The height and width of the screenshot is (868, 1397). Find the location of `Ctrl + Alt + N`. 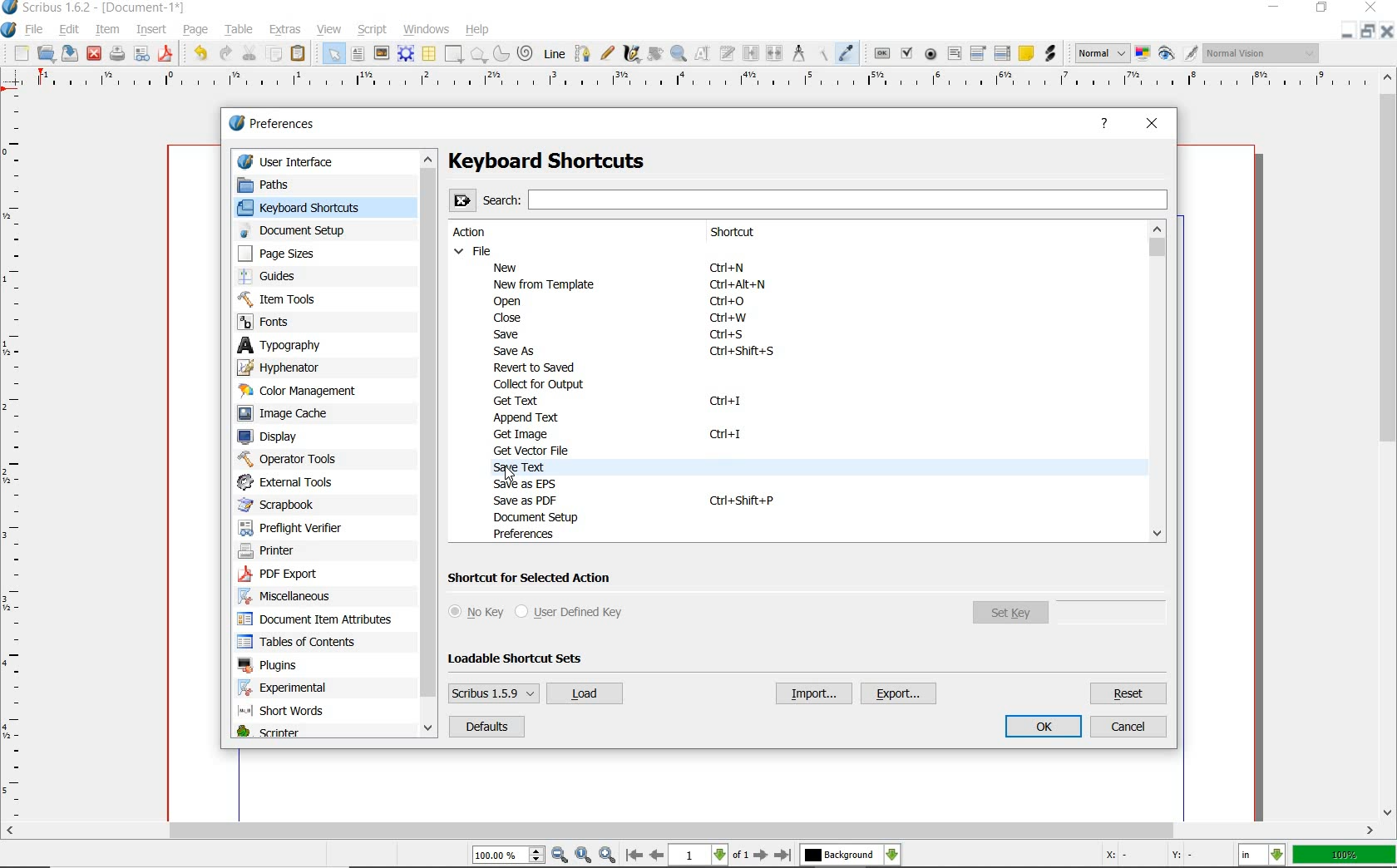

Ctrl + Alt + N is located at coordinates (738, 287).